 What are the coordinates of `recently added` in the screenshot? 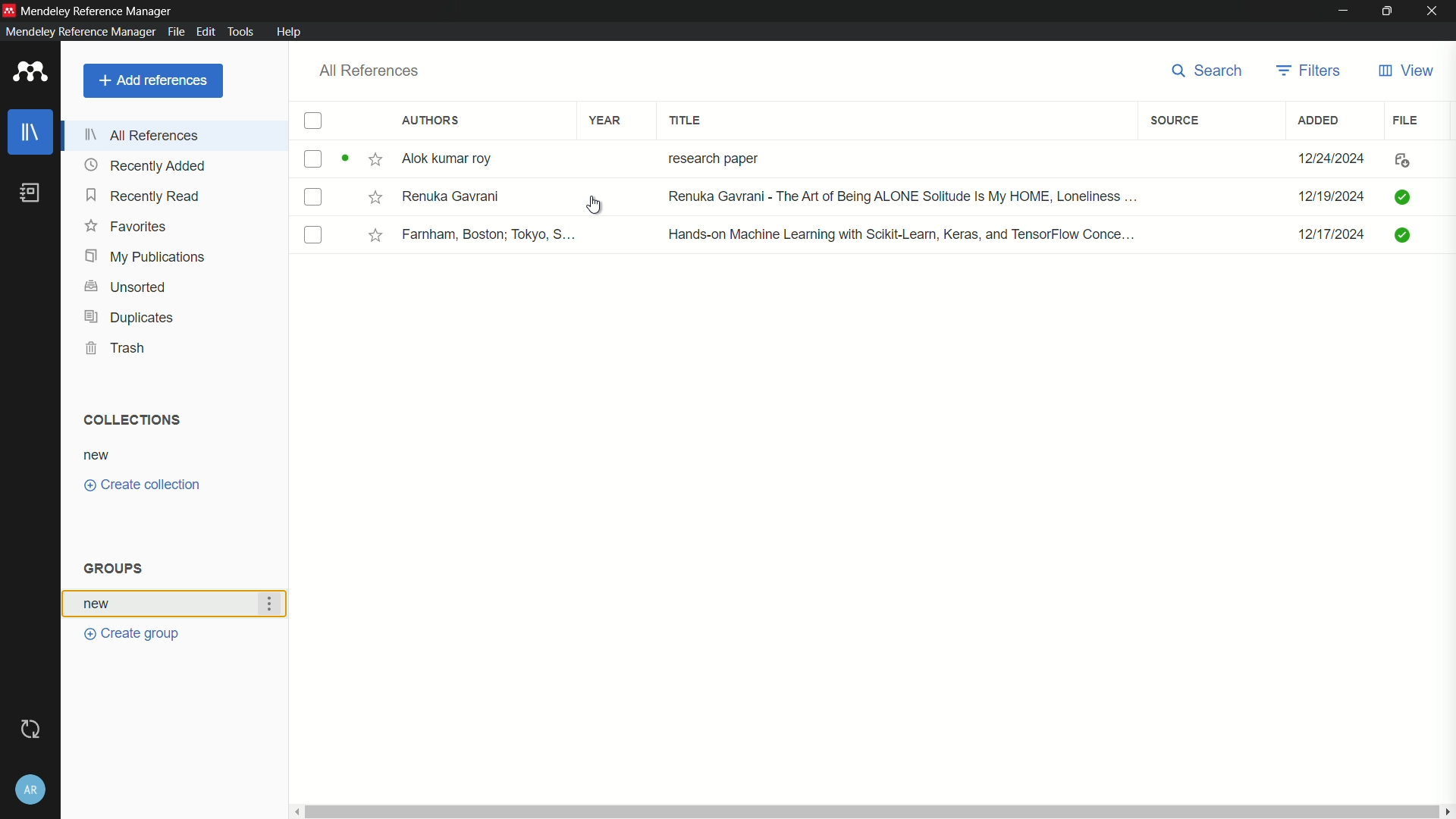 It's located at (146, 165).